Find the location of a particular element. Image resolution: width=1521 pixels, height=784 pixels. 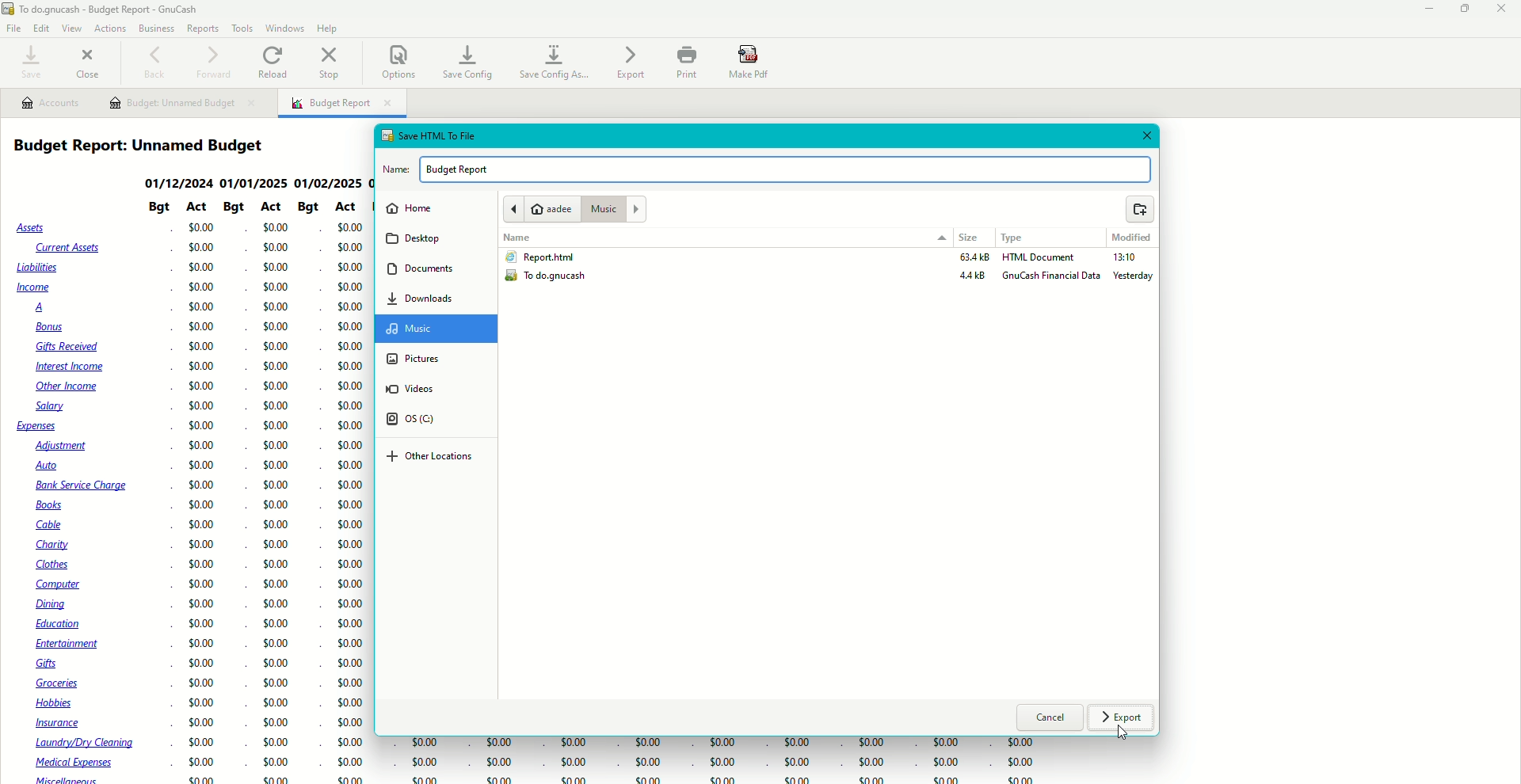

Videos is located at coordinates (420, 389).